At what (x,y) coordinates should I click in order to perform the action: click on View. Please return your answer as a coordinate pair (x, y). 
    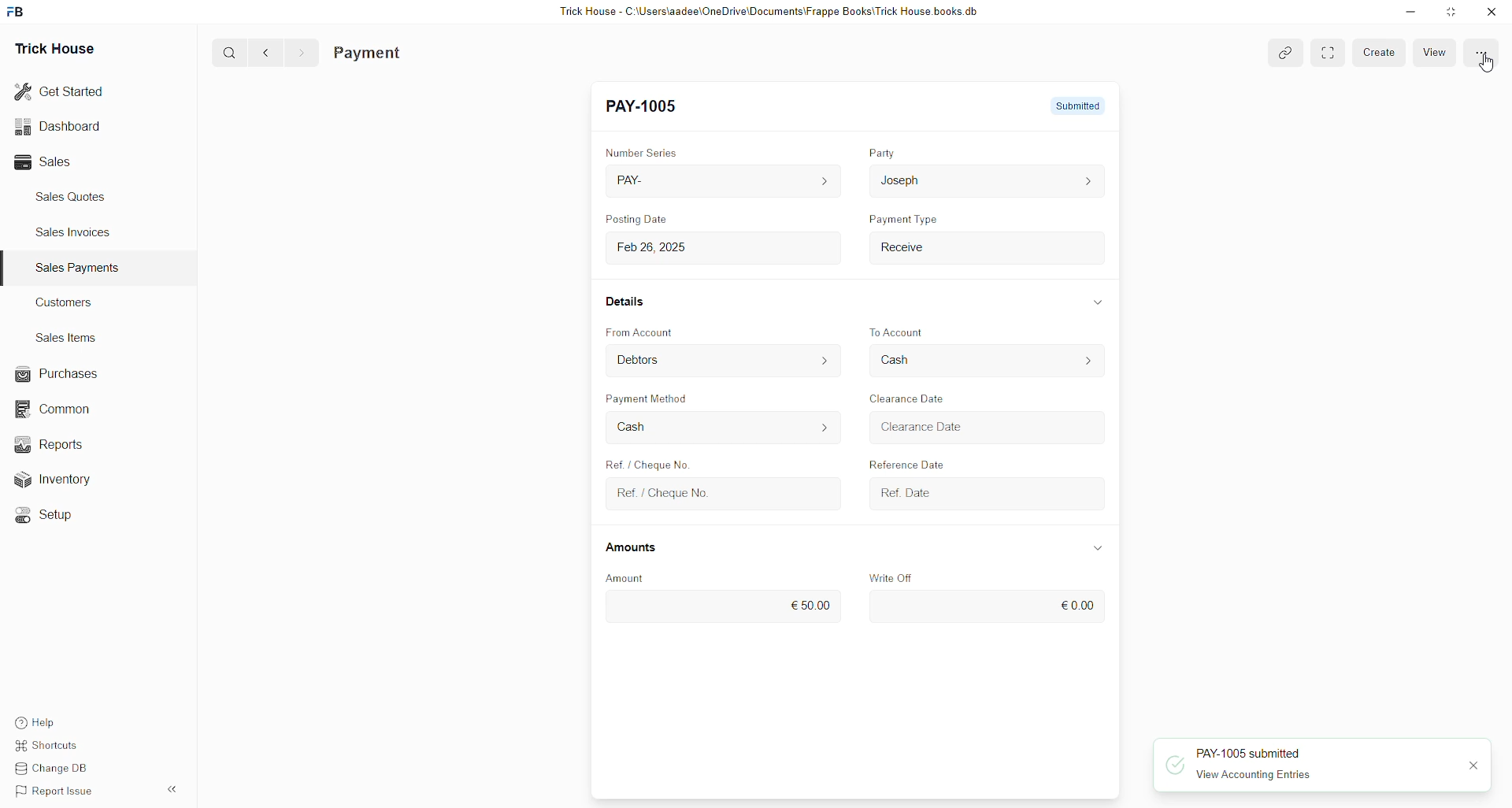
    Looking at the image, I should click on (1436, 54).